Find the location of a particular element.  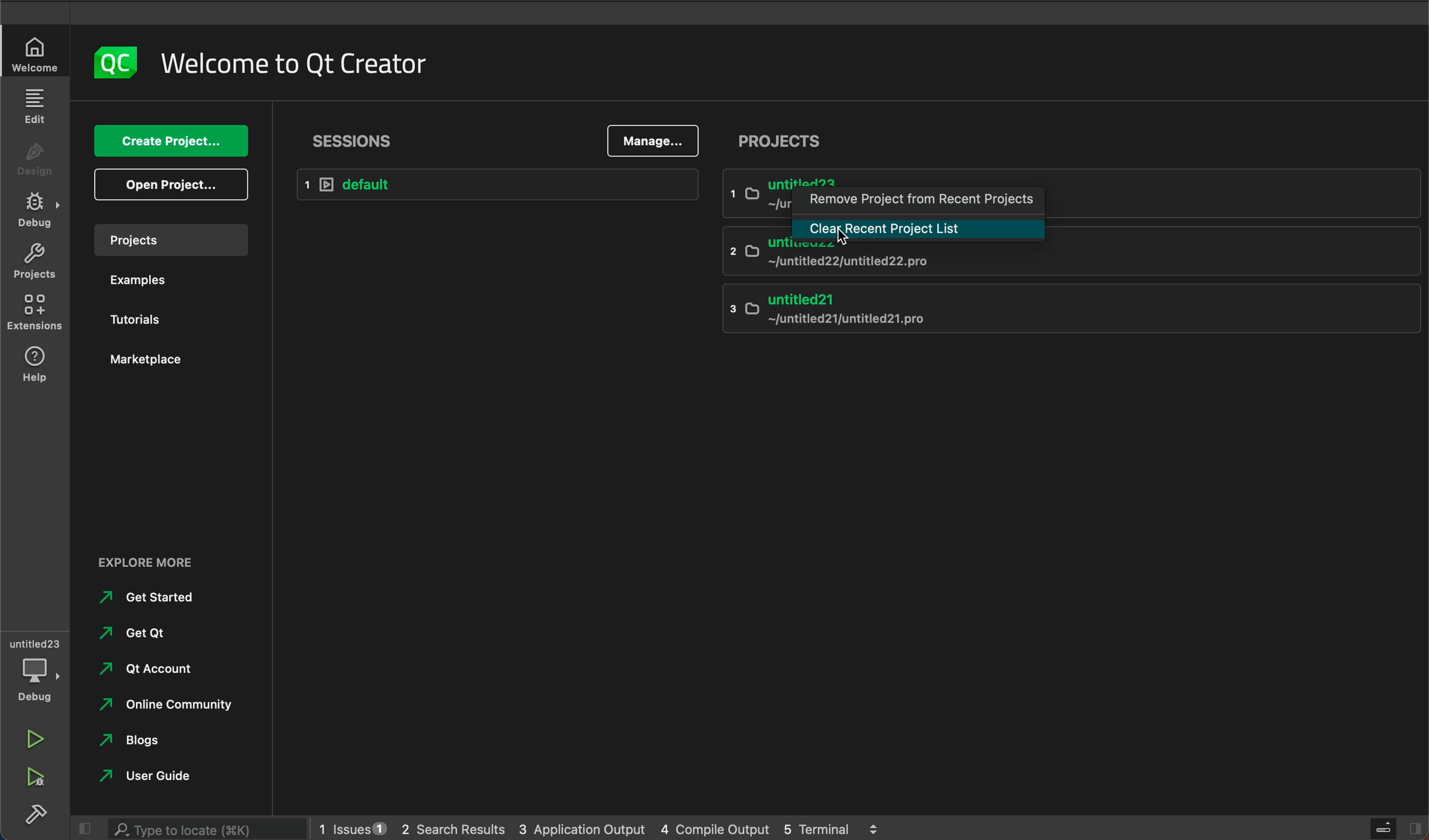

clear project is located at coordinates (921, 229).